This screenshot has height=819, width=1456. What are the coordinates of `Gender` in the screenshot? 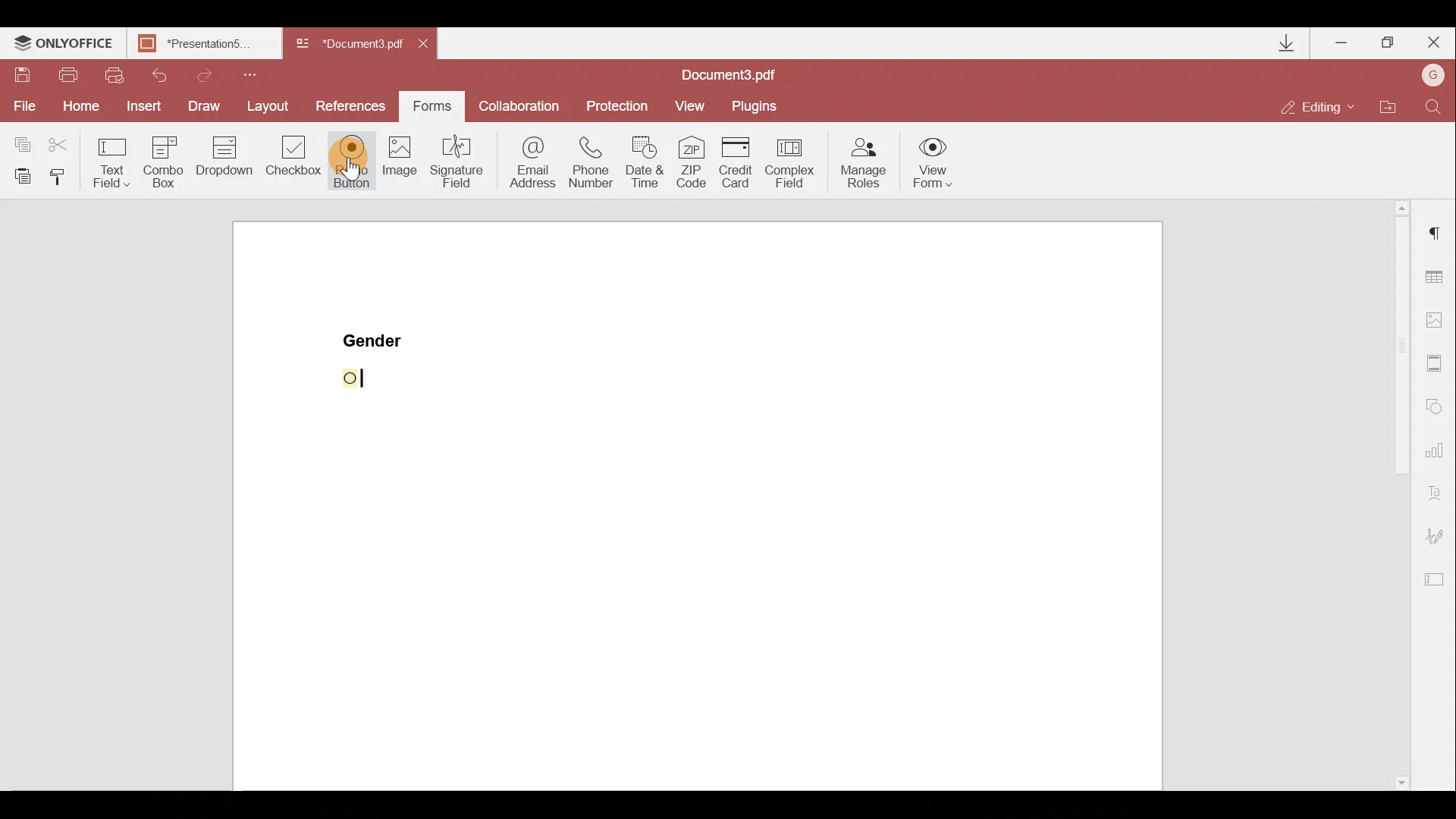 It's located at (375, 339).